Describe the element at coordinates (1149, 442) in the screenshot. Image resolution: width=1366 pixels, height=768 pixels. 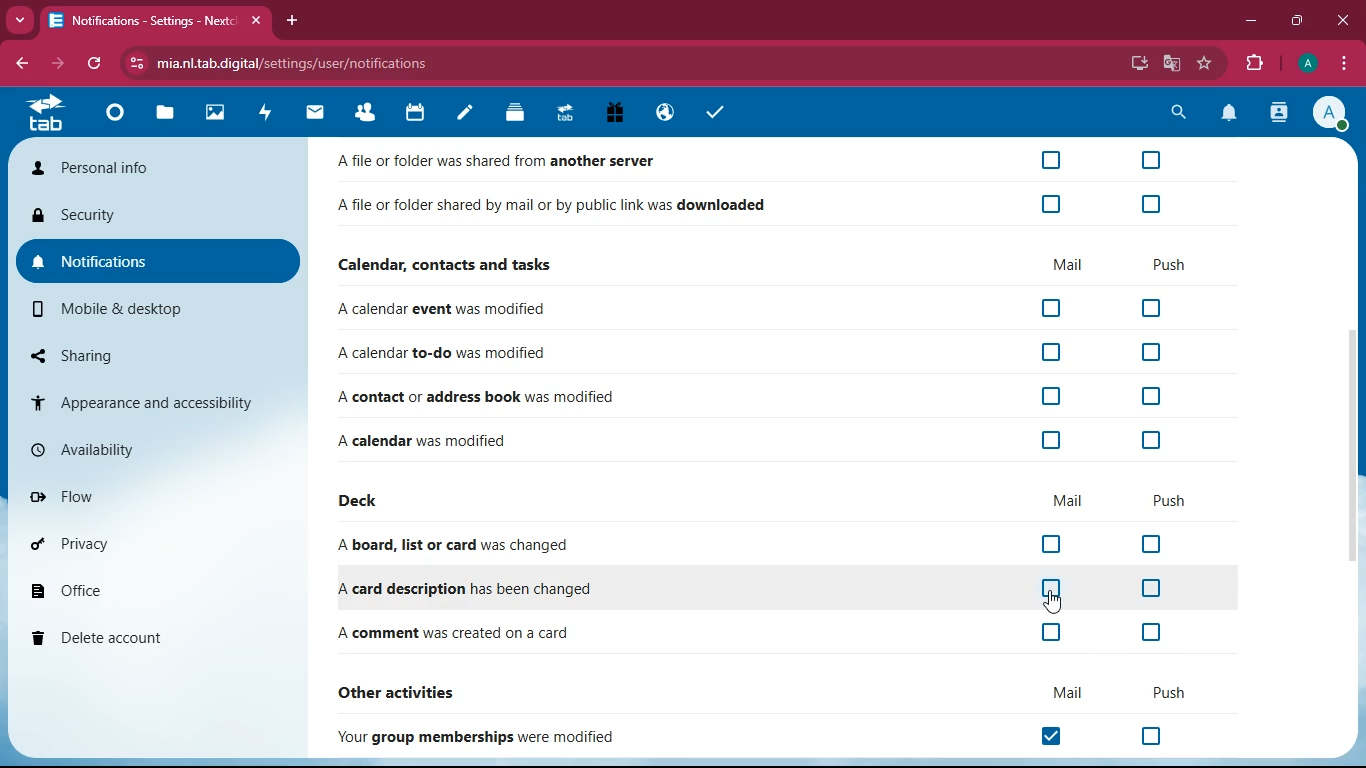
I see `off` at that location.